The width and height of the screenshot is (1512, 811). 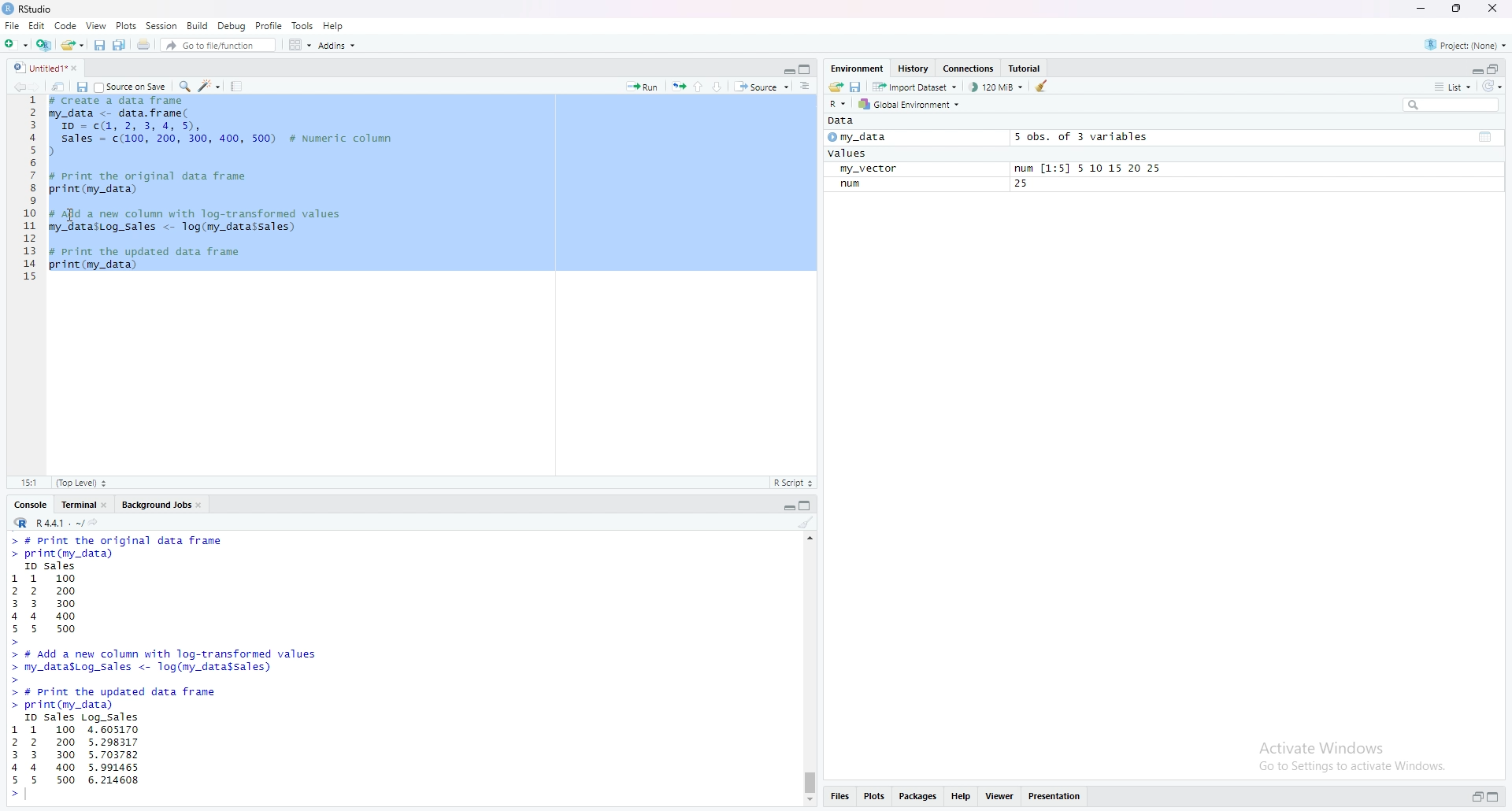 What do you see at coordinates (721, 88) in the screenshot?
I see `go to next section/chunk` at bounding box center [721, 88].